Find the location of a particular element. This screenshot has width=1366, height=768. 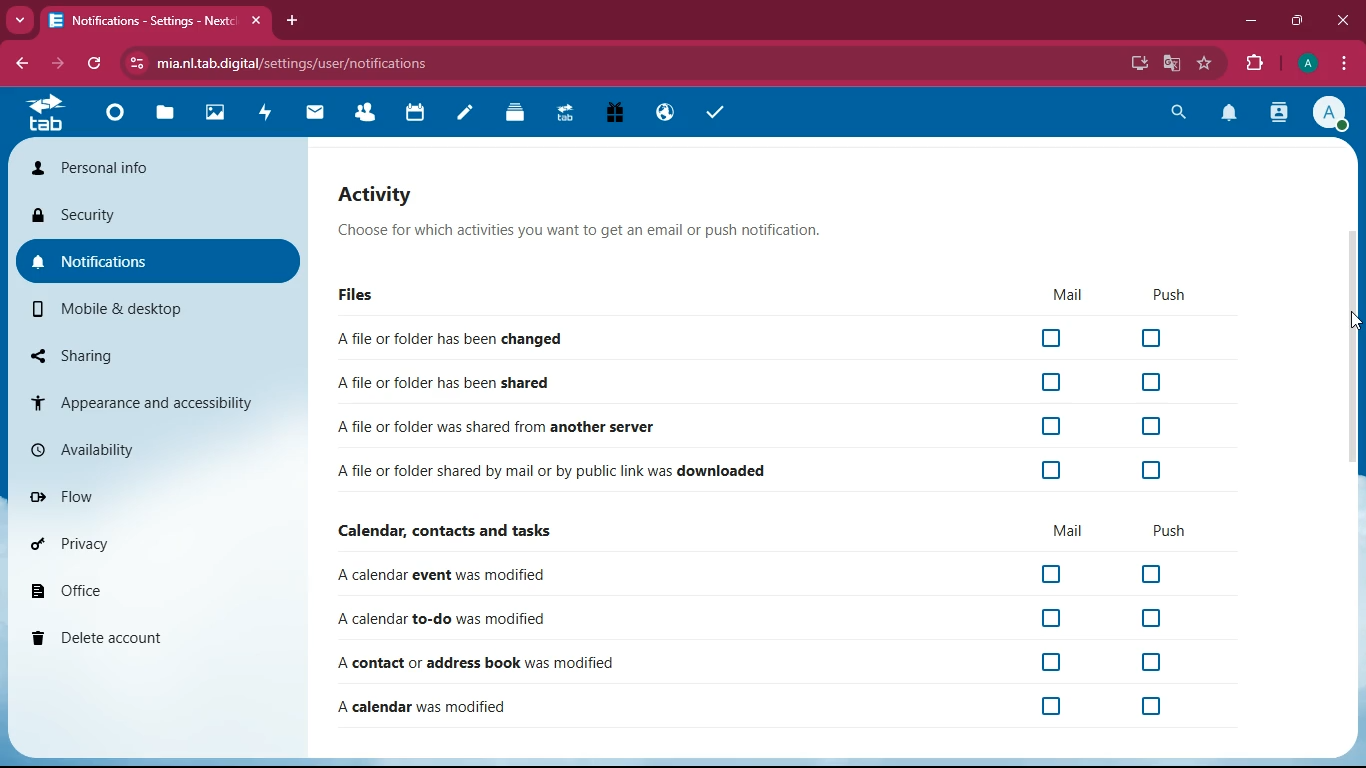

Deck is located at coordinates (517, 115).